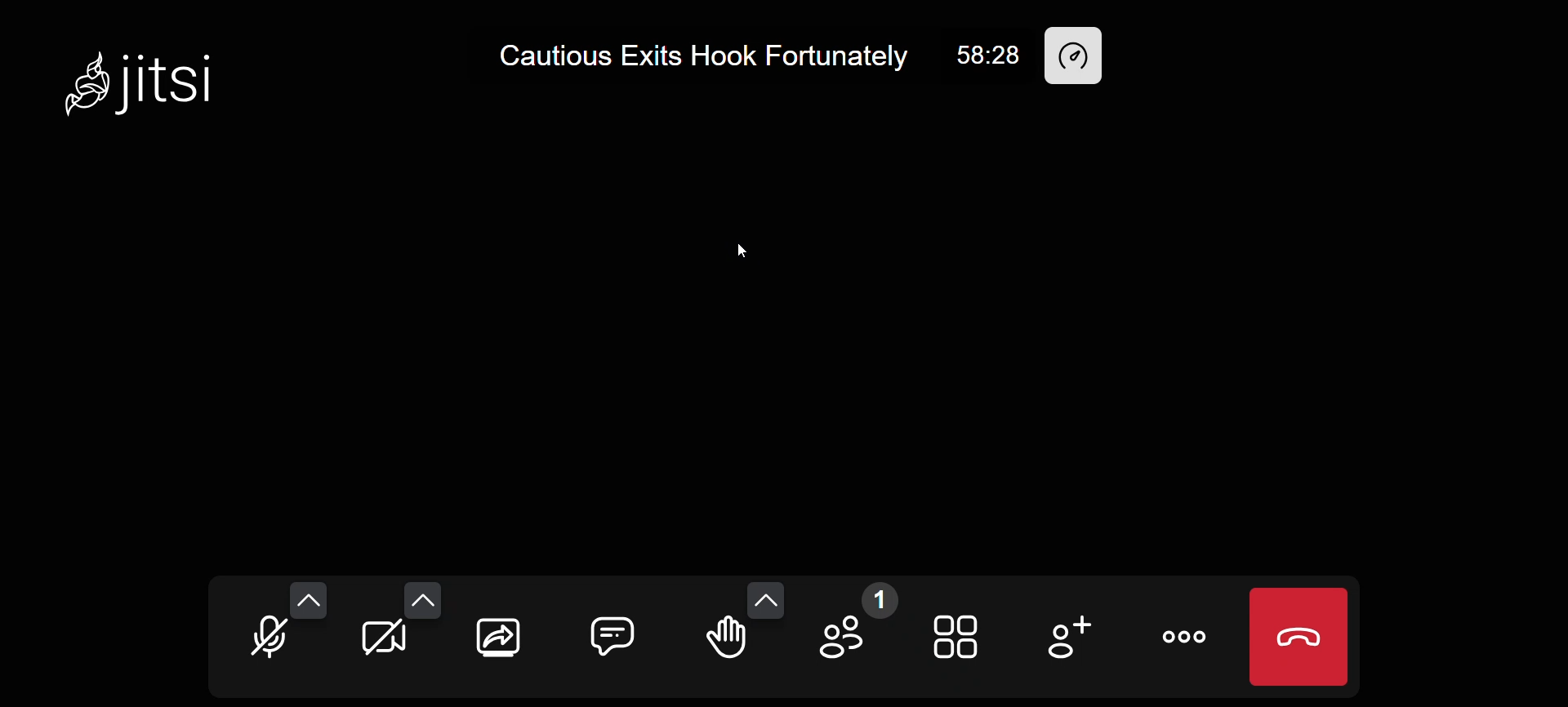 This screenshot has width=1568, height=707. I want to click on invite people, so click(1073, 635).